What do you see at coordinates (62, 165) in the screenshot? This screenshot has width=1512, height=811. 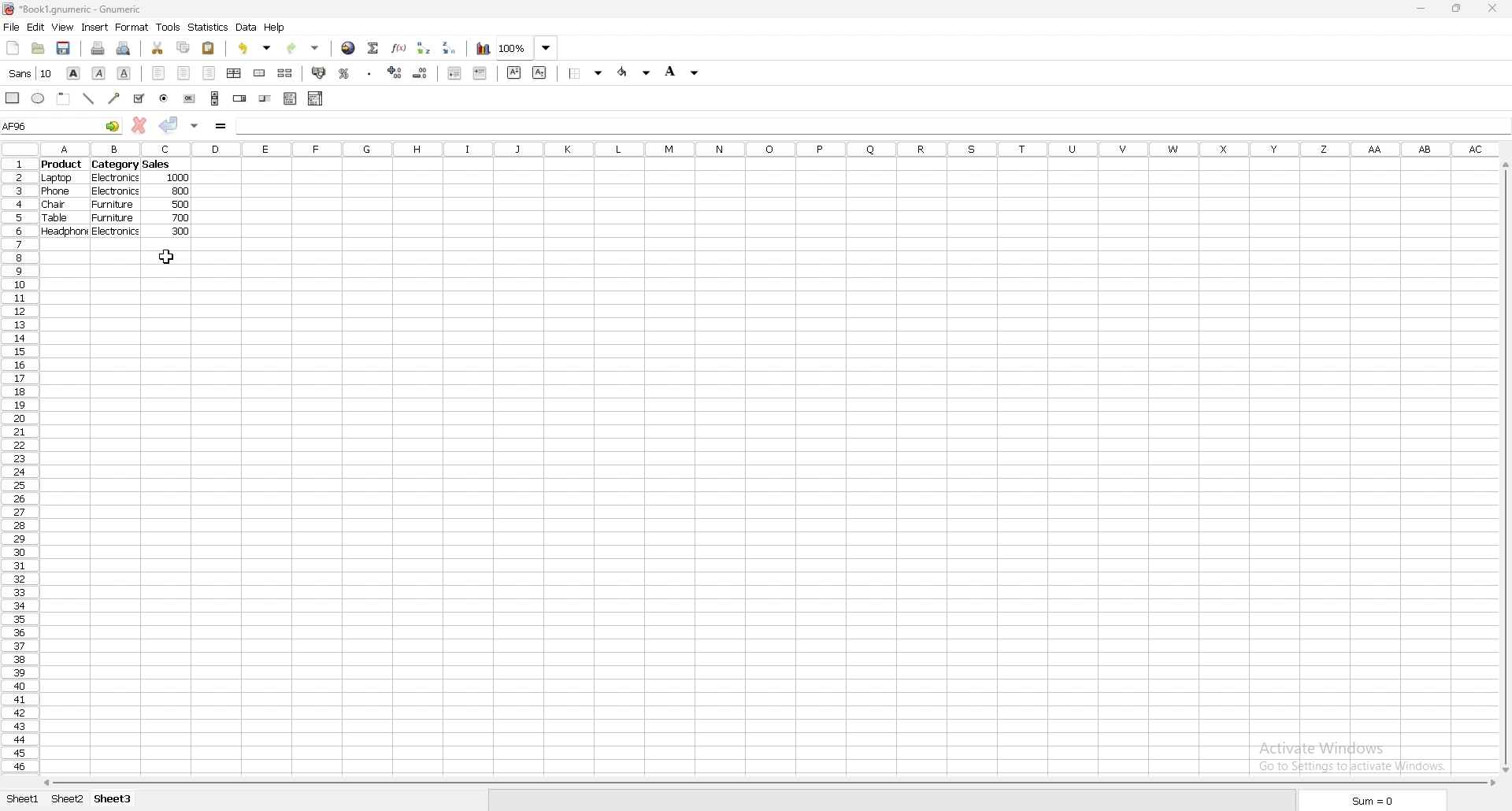 I see `product` at bounding box center [62, 165].